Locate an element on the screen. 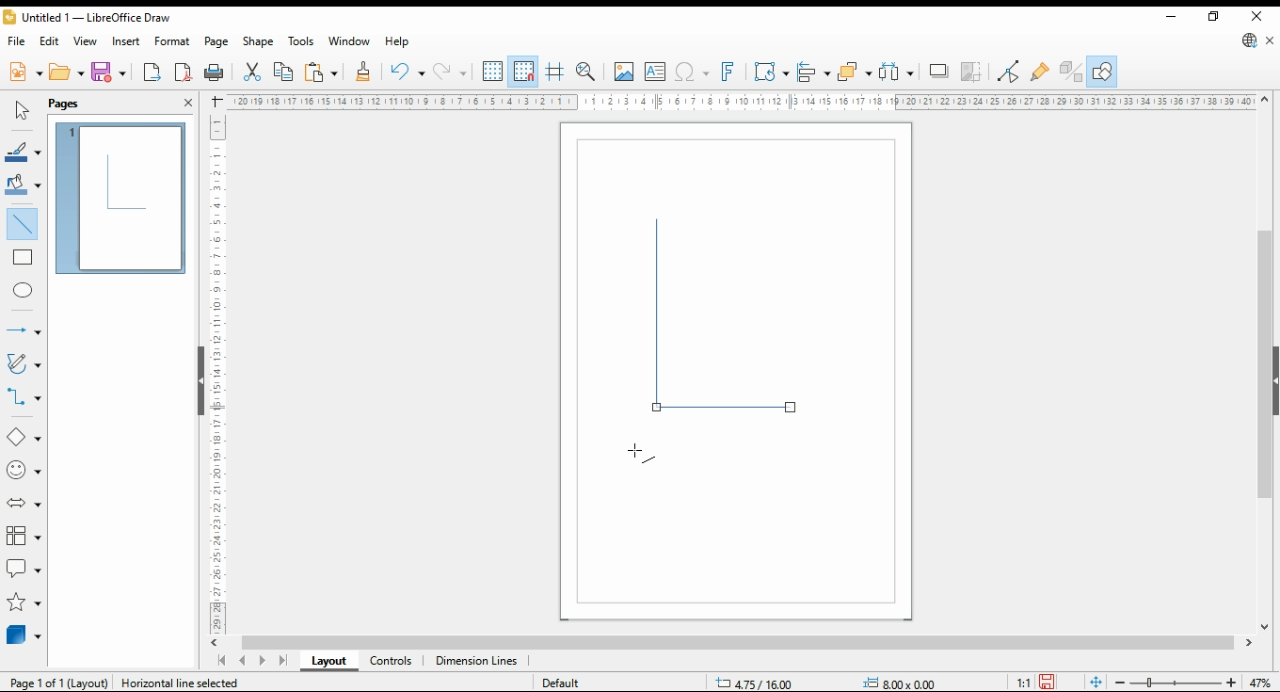  scroll bar is located at coordinates (738, 643).